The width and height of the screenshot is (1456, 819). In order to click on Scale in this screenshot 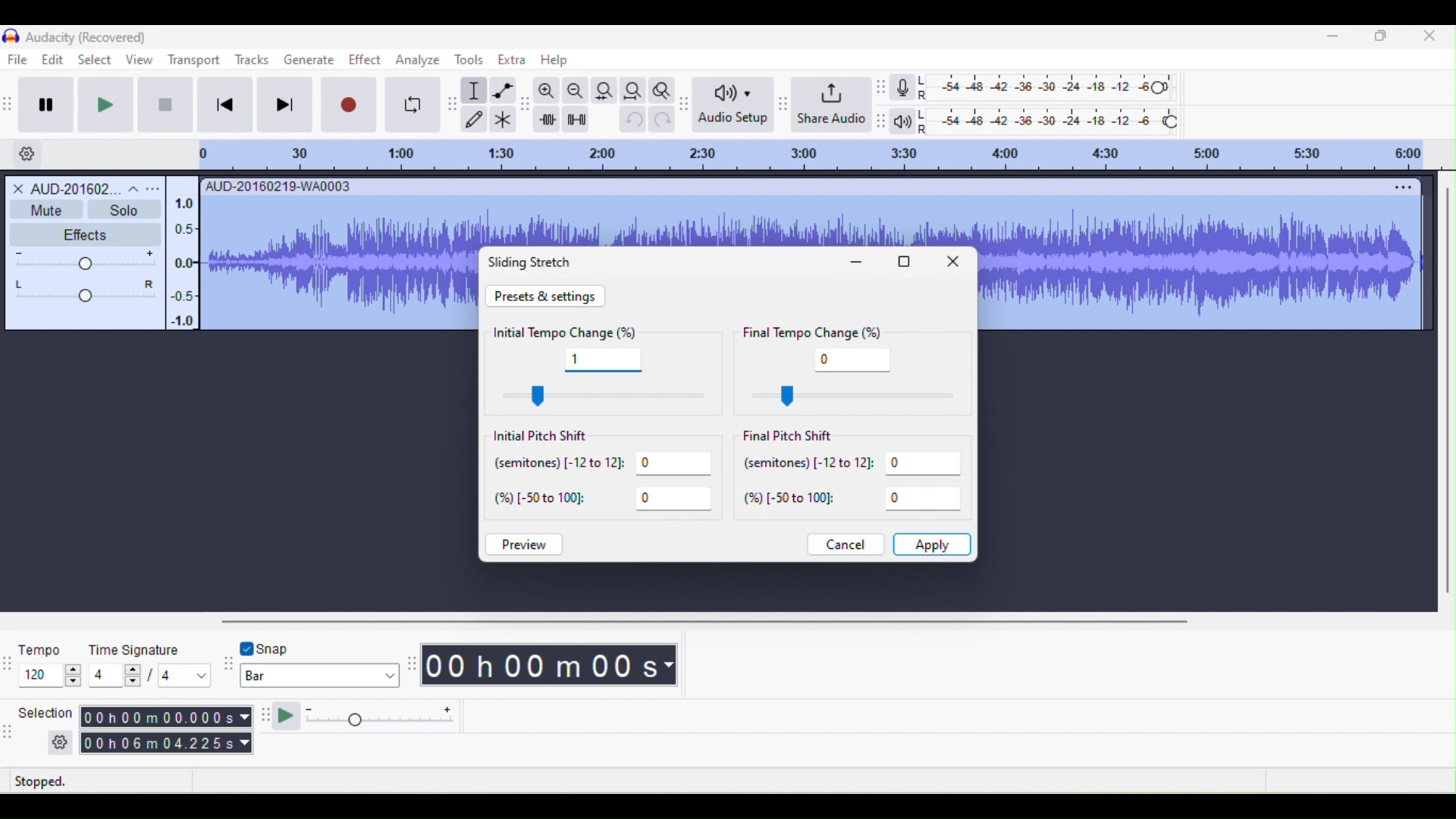, I will do `click(180, 259)`.